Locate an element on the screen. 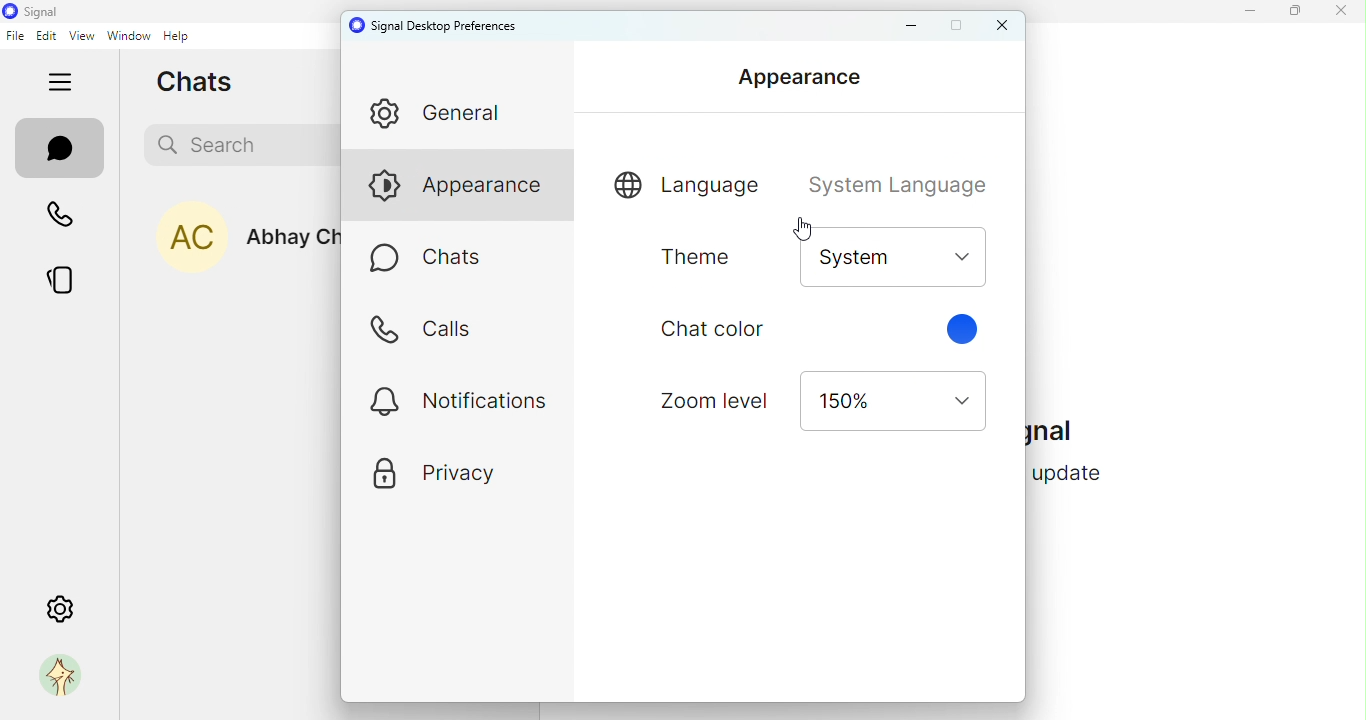  file is located at coordinates (19, 37).